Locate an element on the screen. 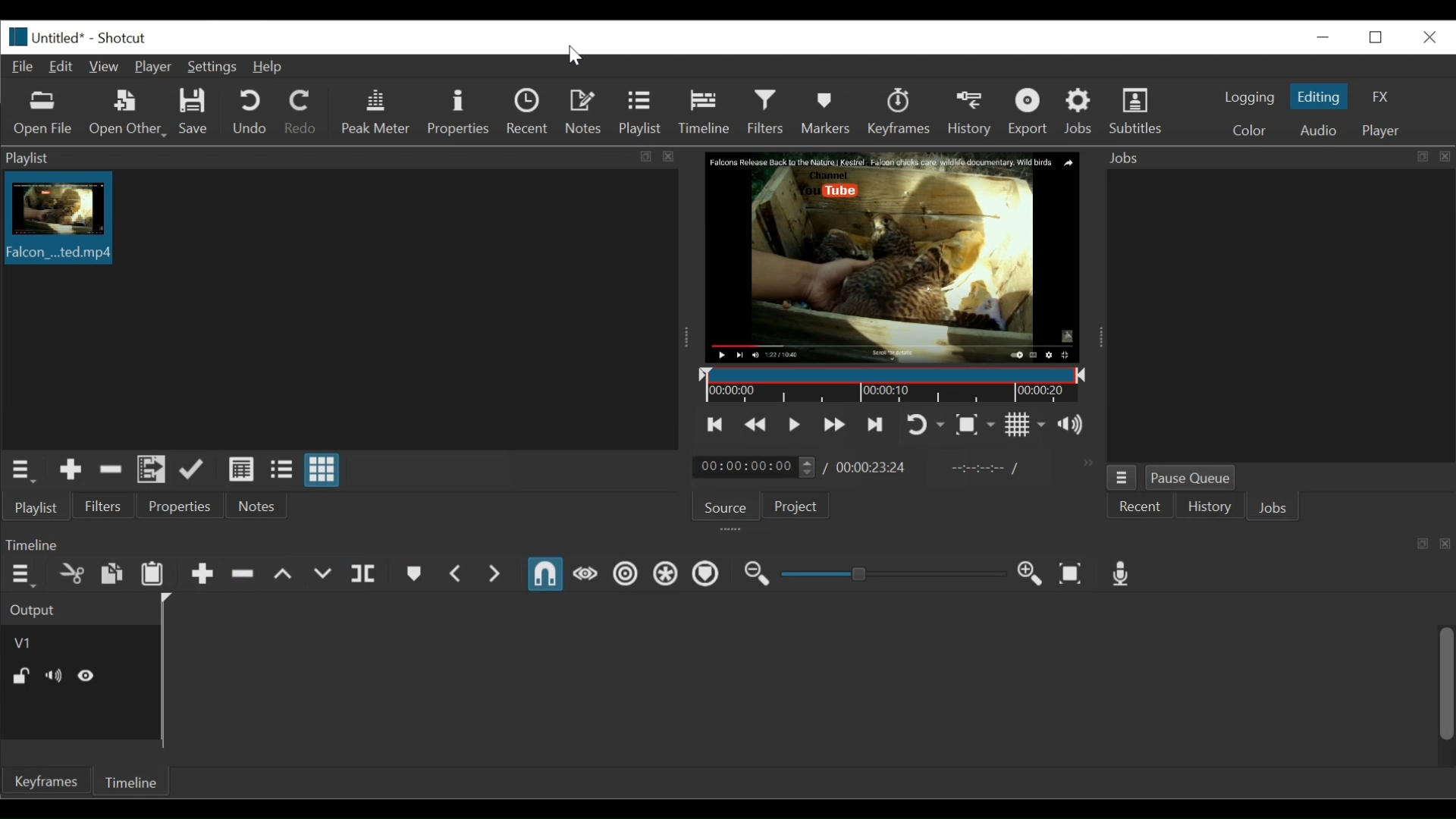  Color is located at coordinates (1254, 129).